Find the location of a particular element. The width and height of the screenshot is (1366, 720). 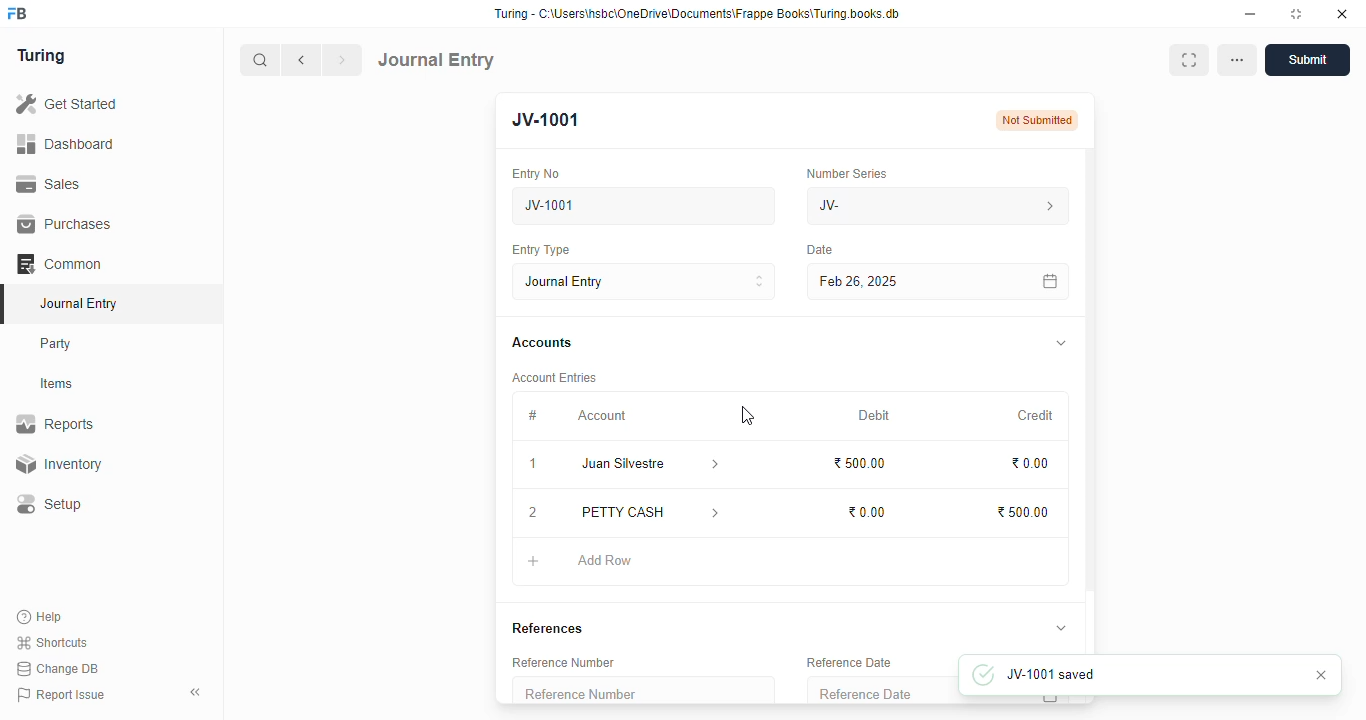

₹500.00 is located at coordinates (859, 463).